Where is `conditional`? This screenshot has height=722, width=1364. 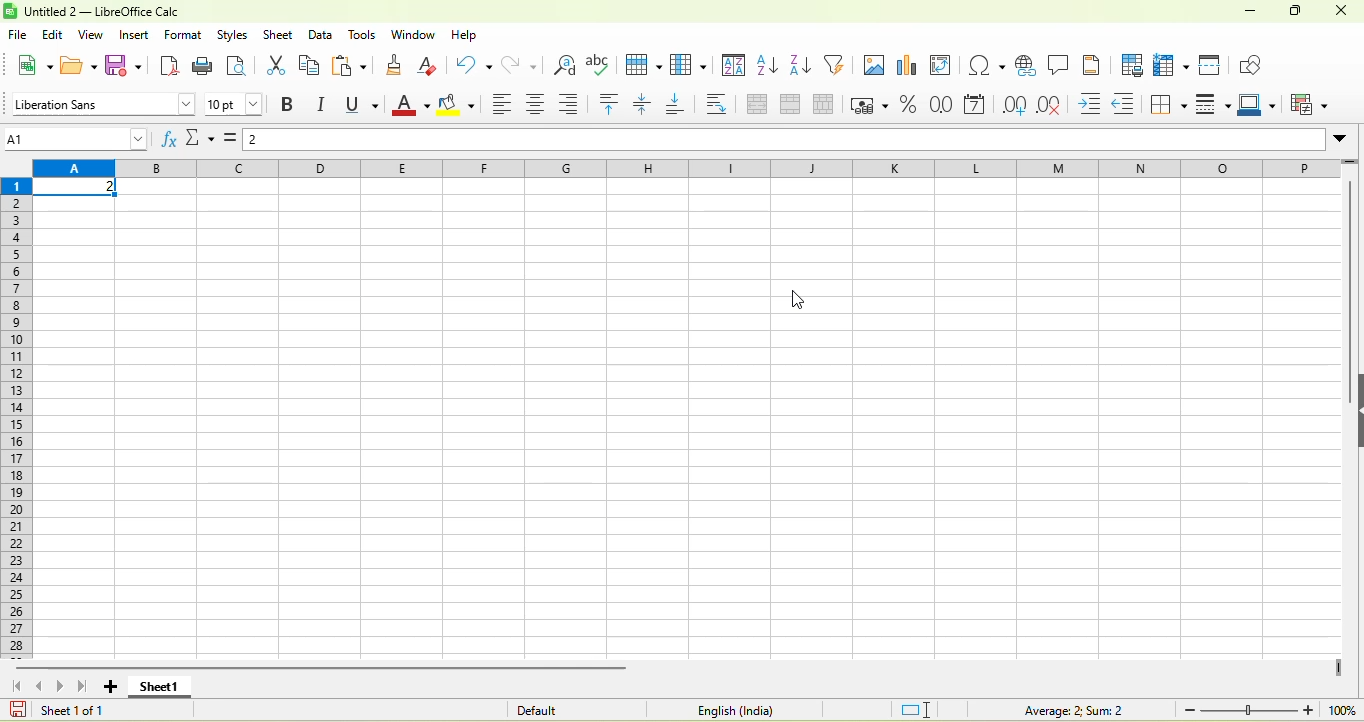 conditional is located at coordinates (1312, 104).